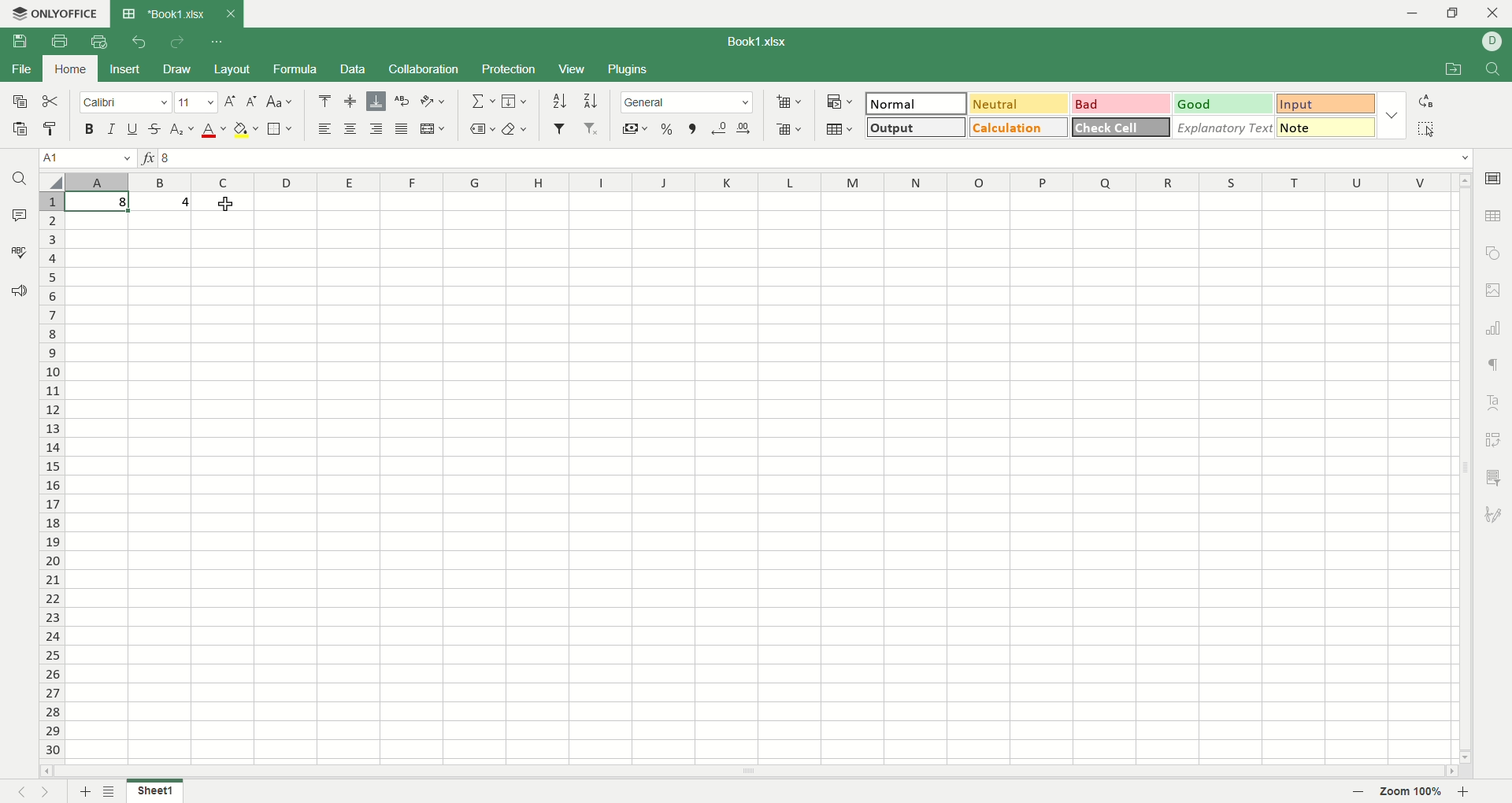 The height and width of the screenshot is (803, 1512). What do you see at coordinates (60, 42) in the screenshot?
I see `print` at bounding box center [60, 42].